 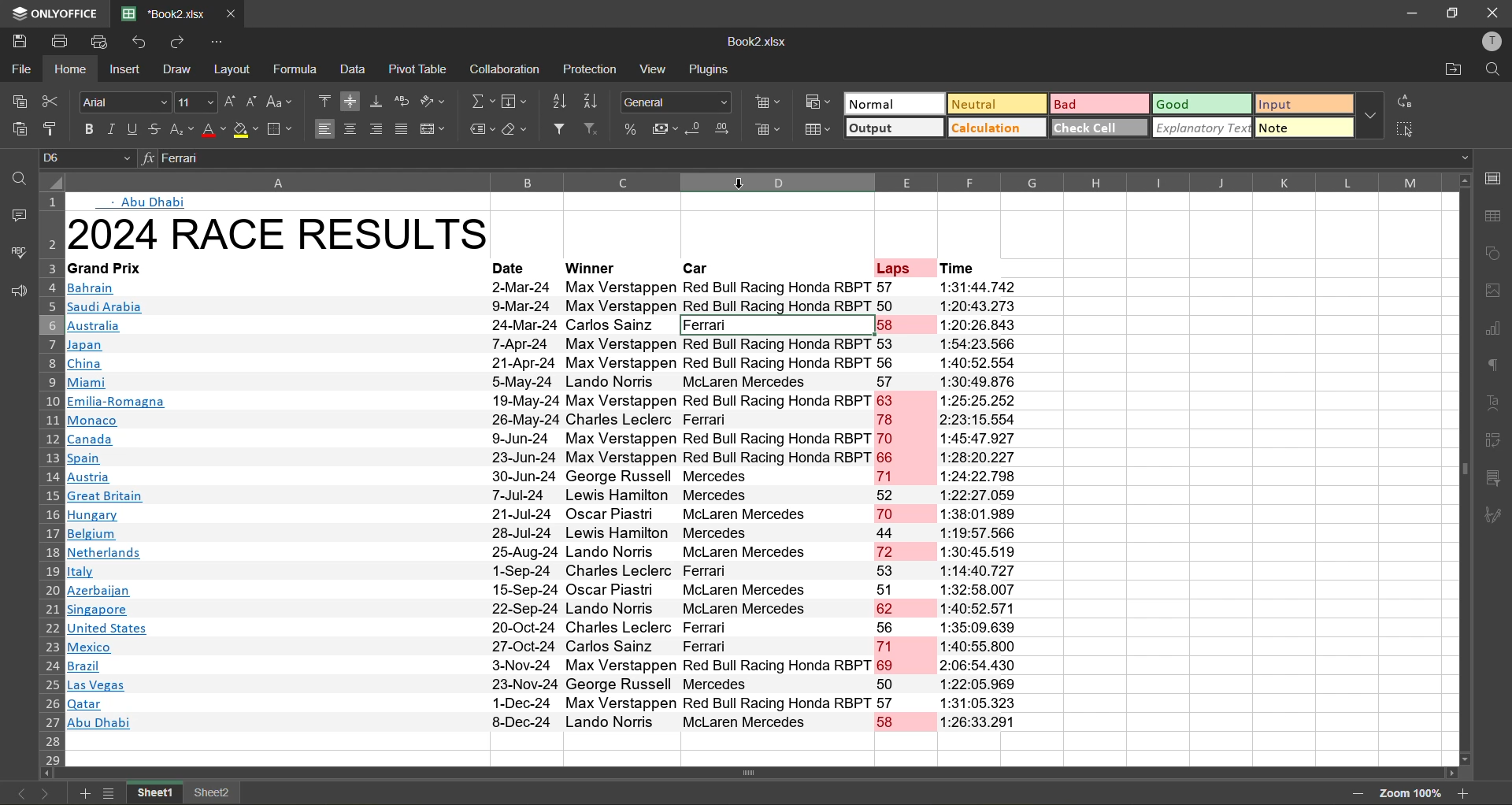 I want to click on Bl Austria 30-Jun-24 George Russell Mercedes 71 1:24:22.798, so click(x=543, y=476).